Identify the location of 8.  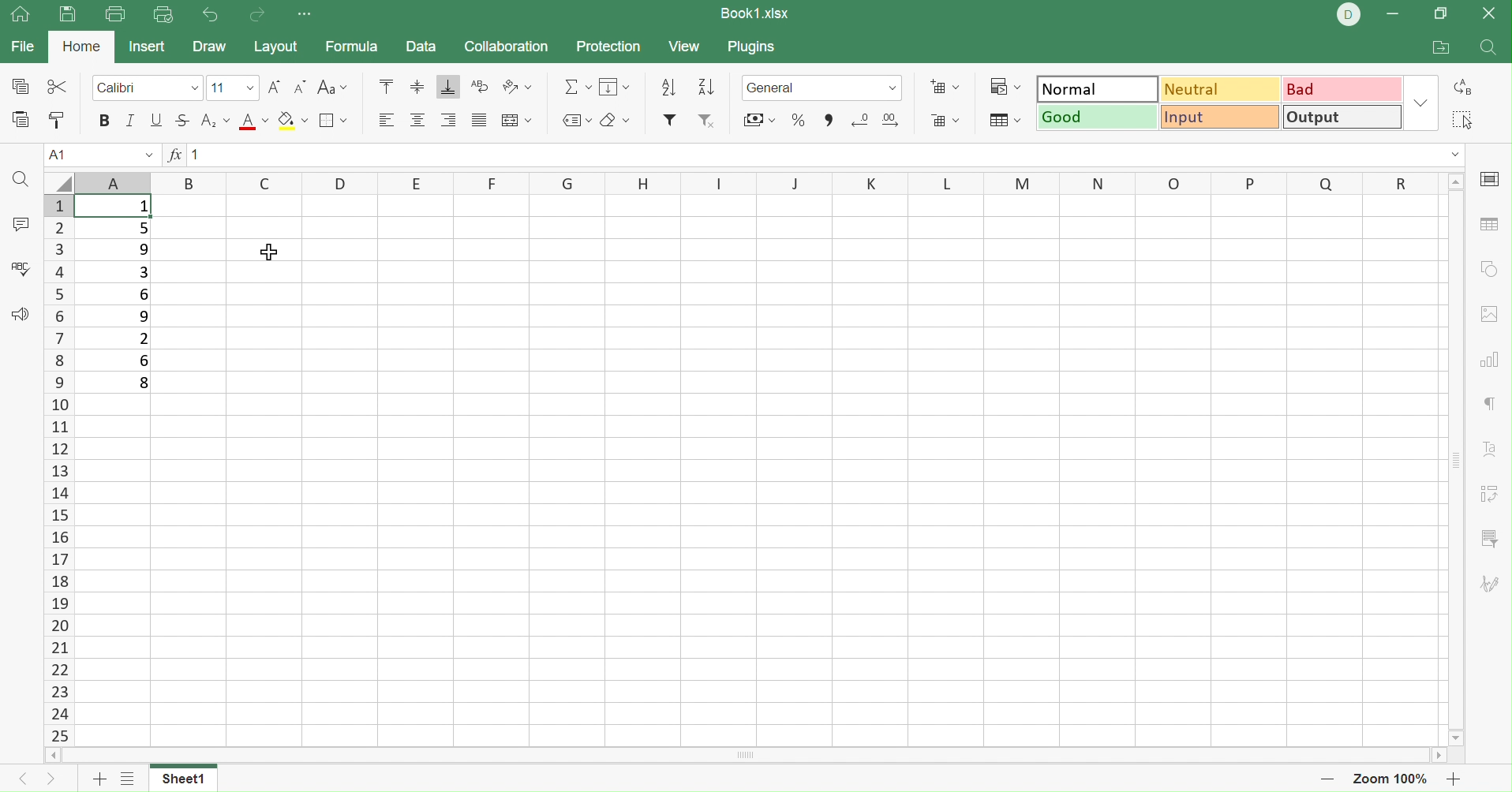
(144, 384).